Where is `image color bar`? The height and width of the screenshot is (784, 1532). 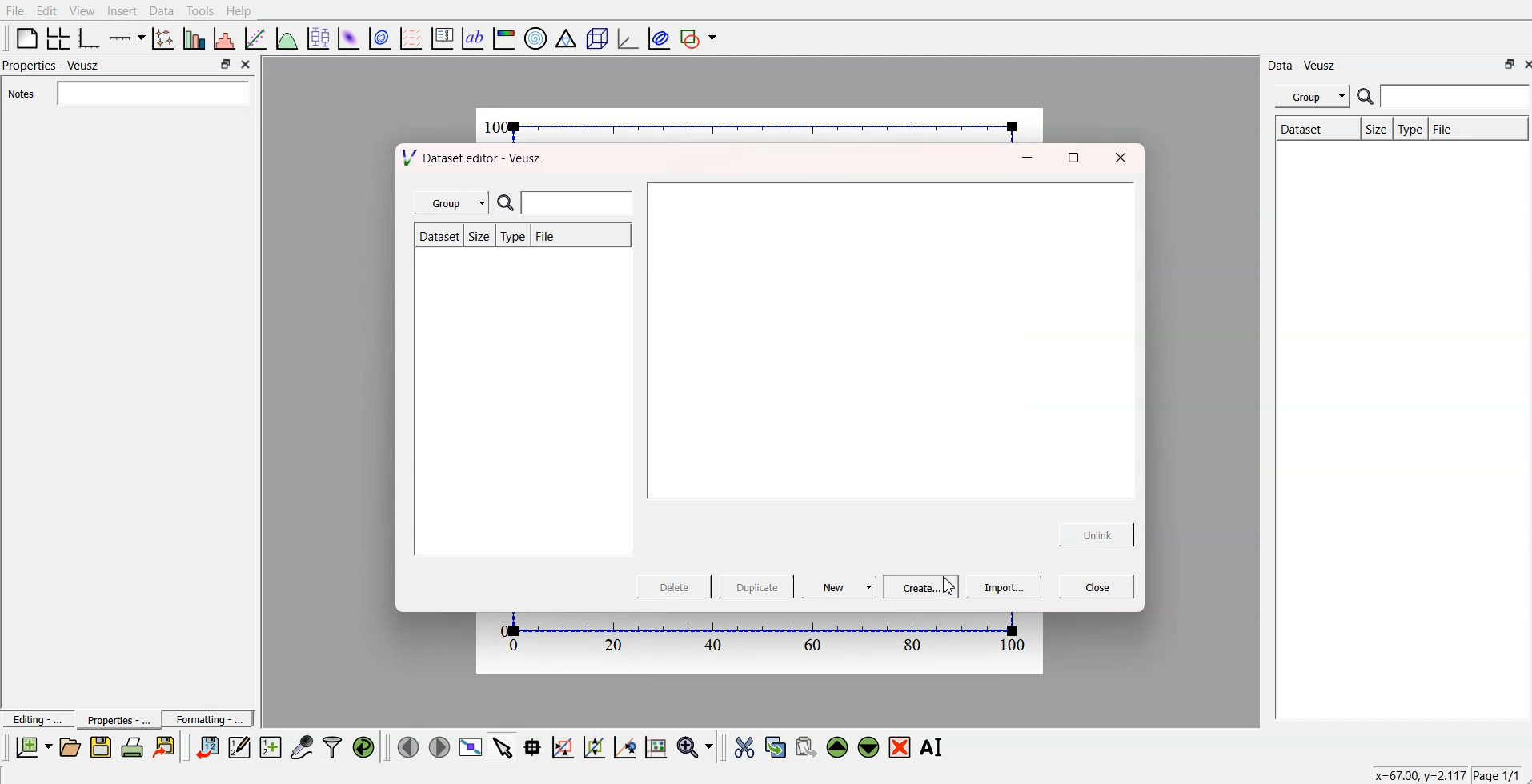 image color bar is located at coordinates (505, 37).